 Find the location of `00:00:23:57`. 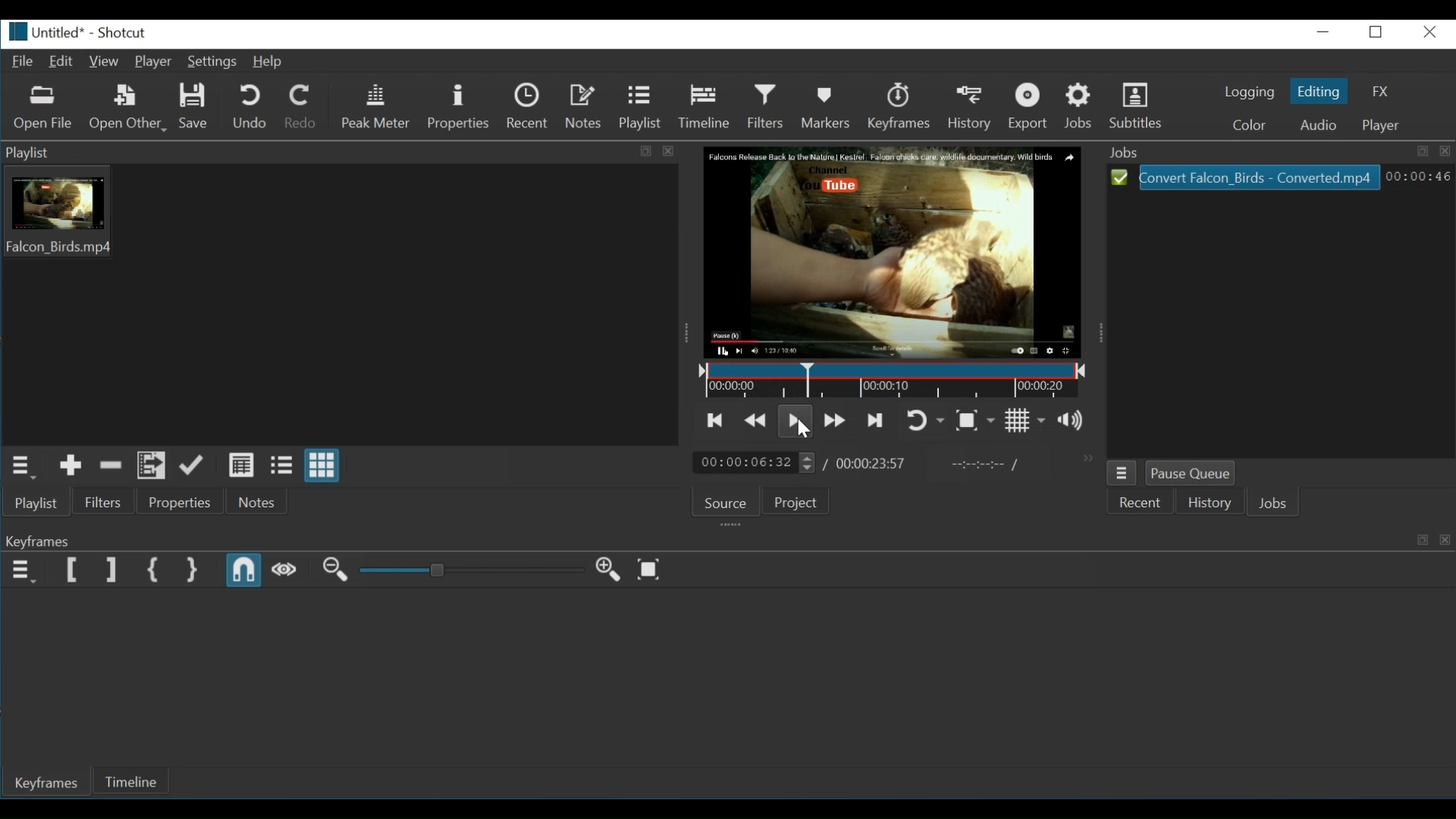

00:00:23:57 is located at coordinates (875, 463).